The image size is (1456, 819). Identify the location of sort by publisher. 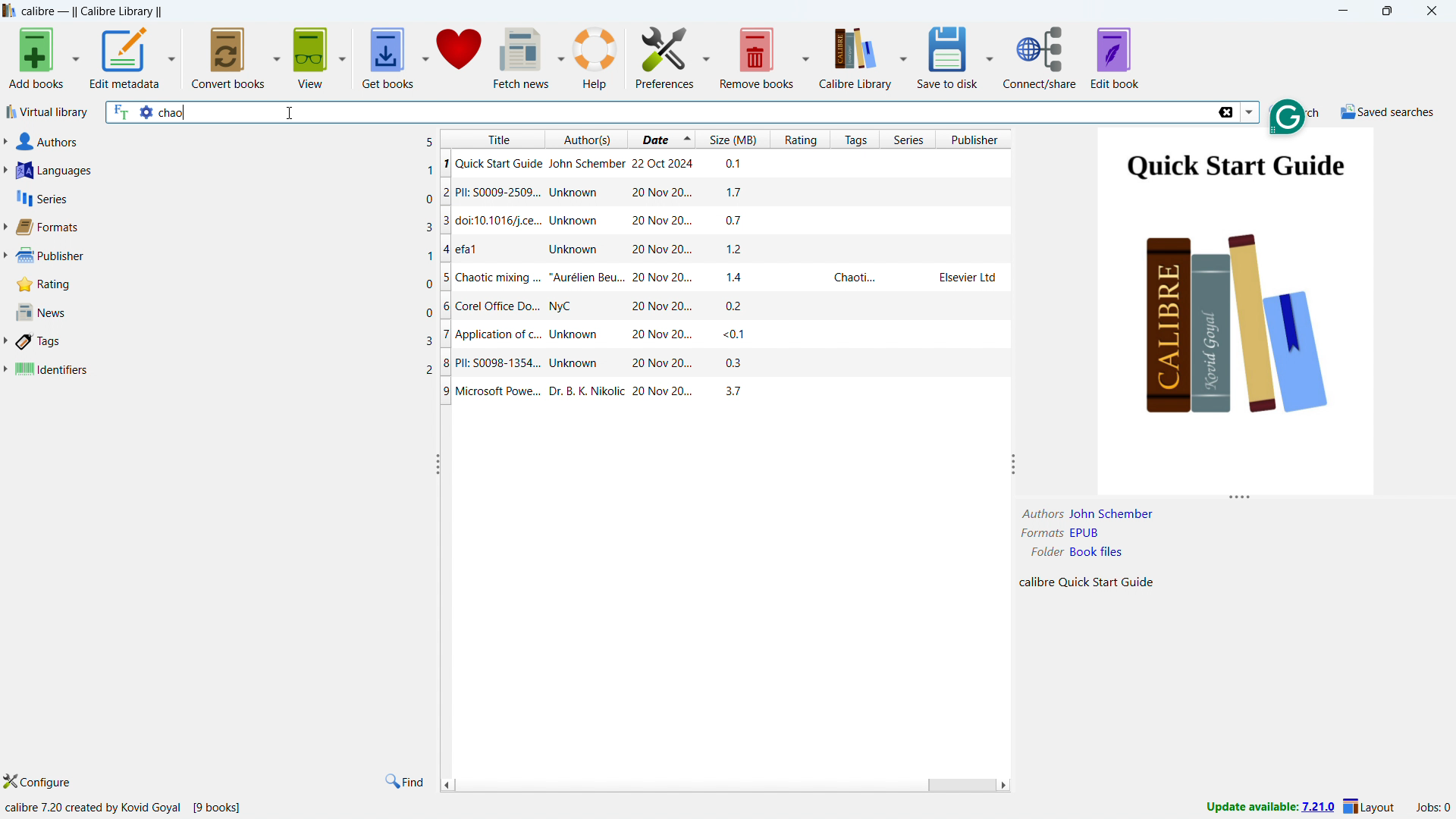
(977, 139).